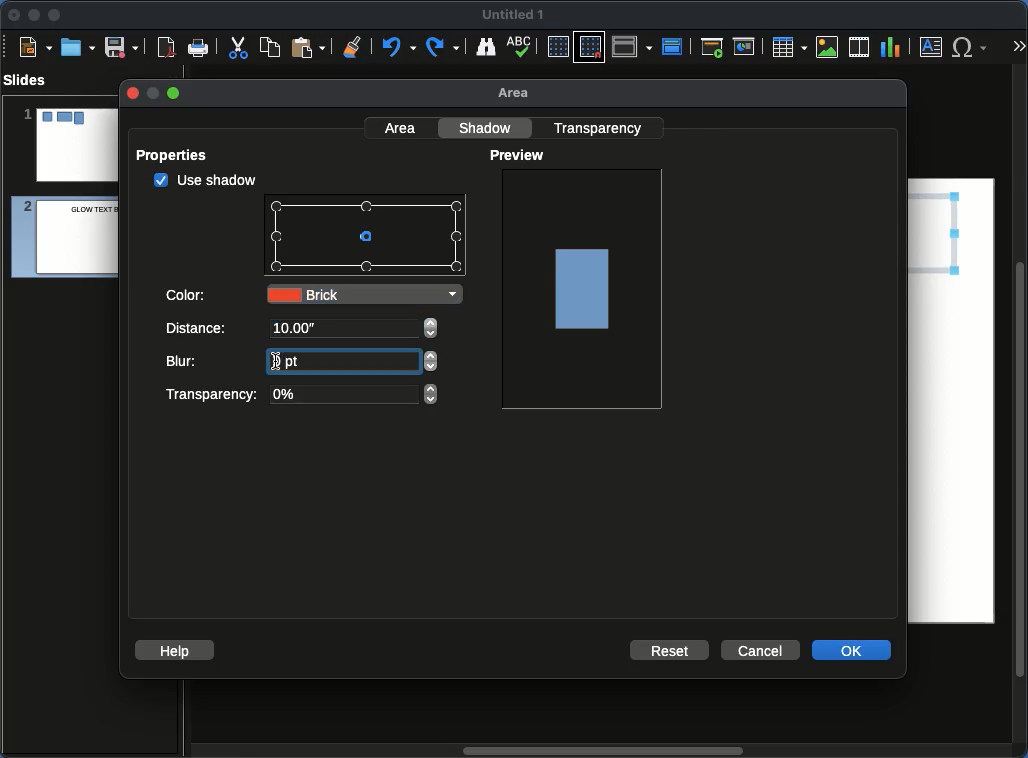 The image size is (1028, 758). Describe the element at coordinates (759, 651) in the screenshot. I see `Cancel` at that location.